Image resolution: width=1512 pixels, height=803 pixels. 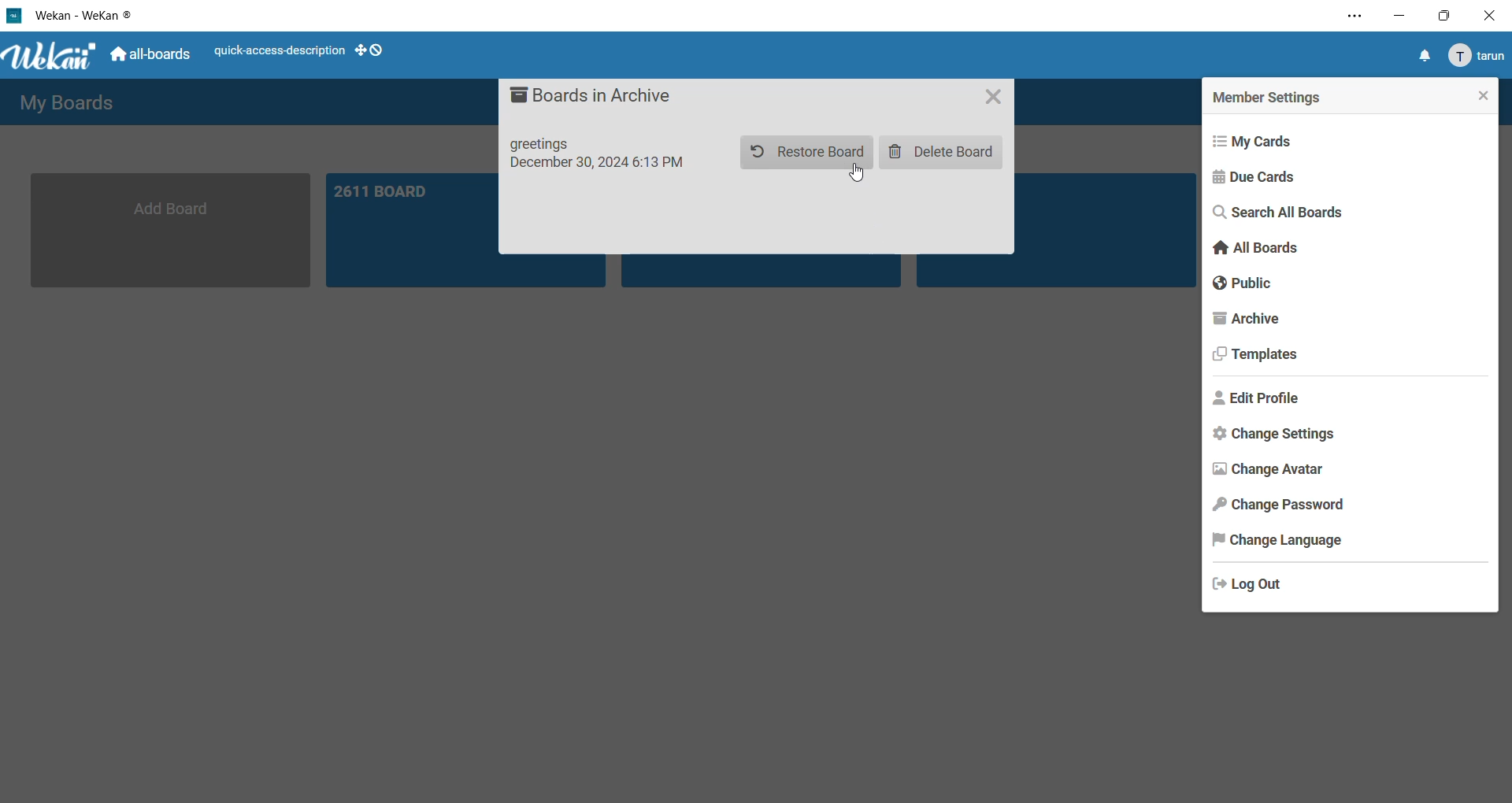 What do you see at coordinates (152, 57) in the screenshot?
I see `all boards` at bounding box center [152, 57].